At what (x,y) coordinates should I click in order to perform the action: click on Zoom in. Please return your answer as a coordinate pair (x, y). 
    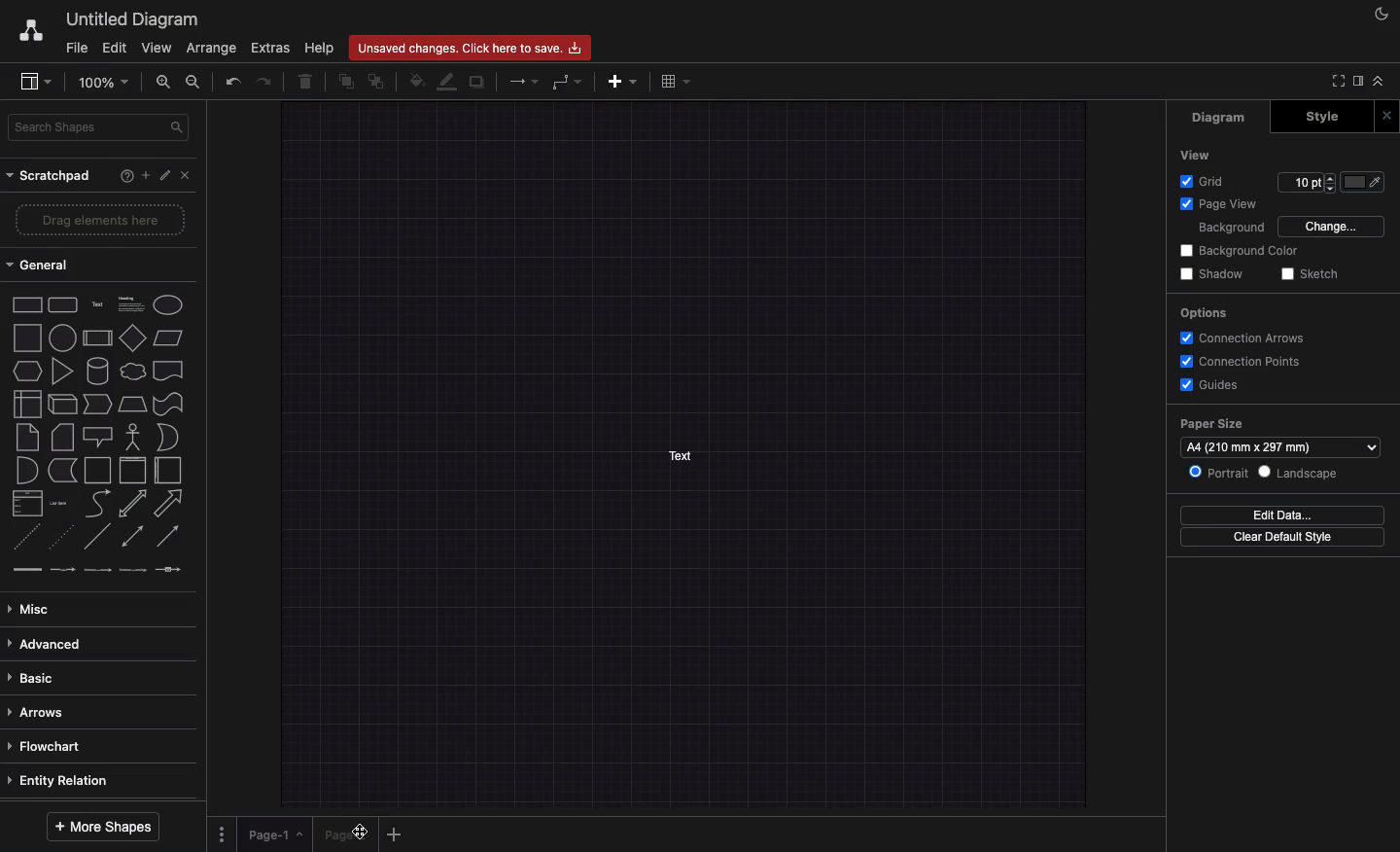
    Looking at the image, I should click on (166, 84).